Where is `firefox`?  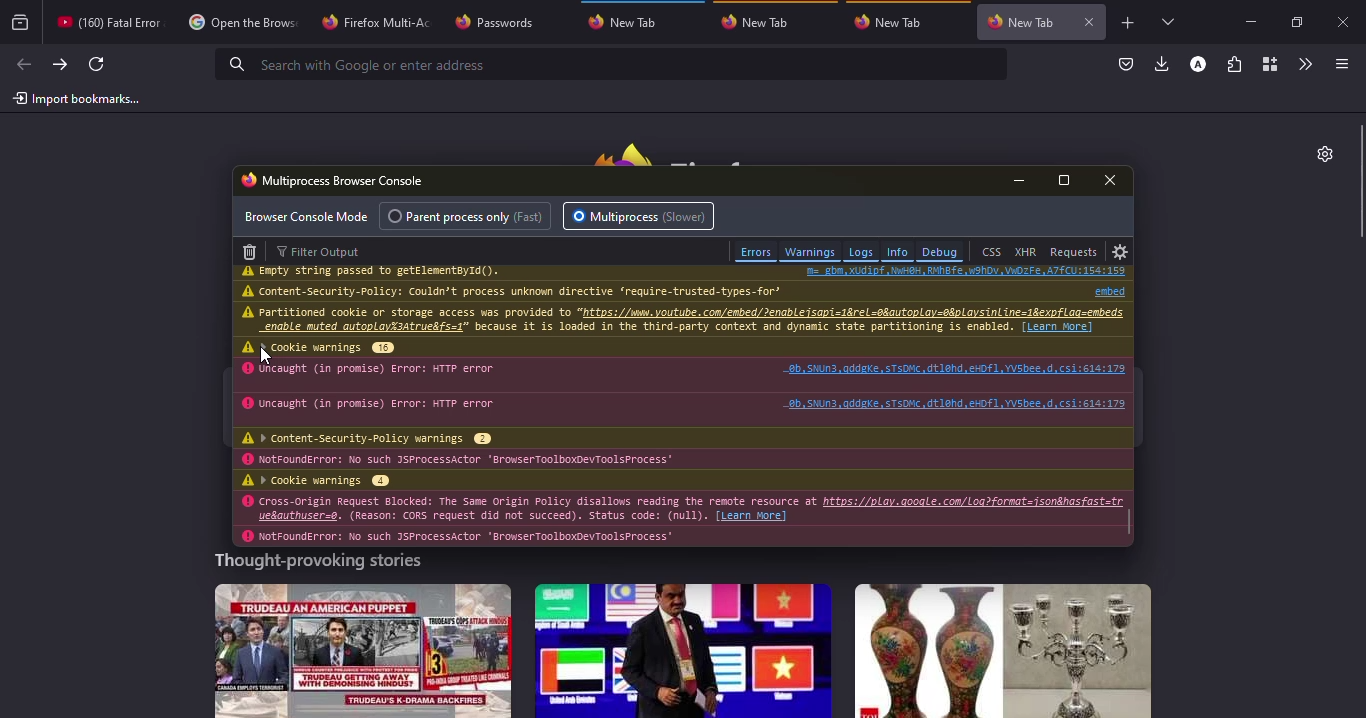 firefox is located at coordinates (690, 149).